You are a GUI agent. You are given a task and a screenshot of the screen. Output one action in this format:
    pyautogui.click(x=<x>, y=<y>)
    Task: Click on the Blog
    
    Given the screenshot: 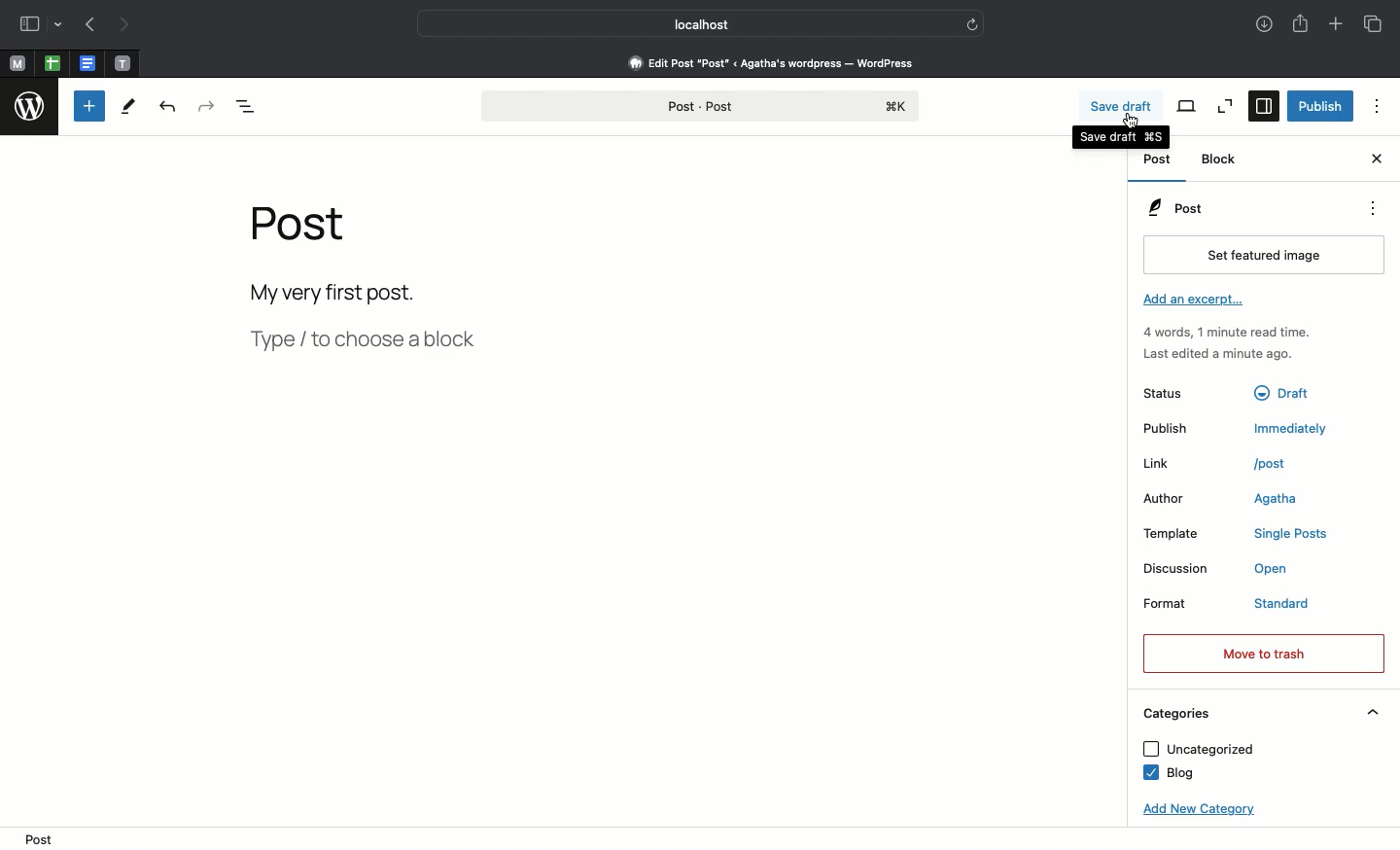 What is the action you would take?
    pyautogui.click(x=1167, y=774)
    